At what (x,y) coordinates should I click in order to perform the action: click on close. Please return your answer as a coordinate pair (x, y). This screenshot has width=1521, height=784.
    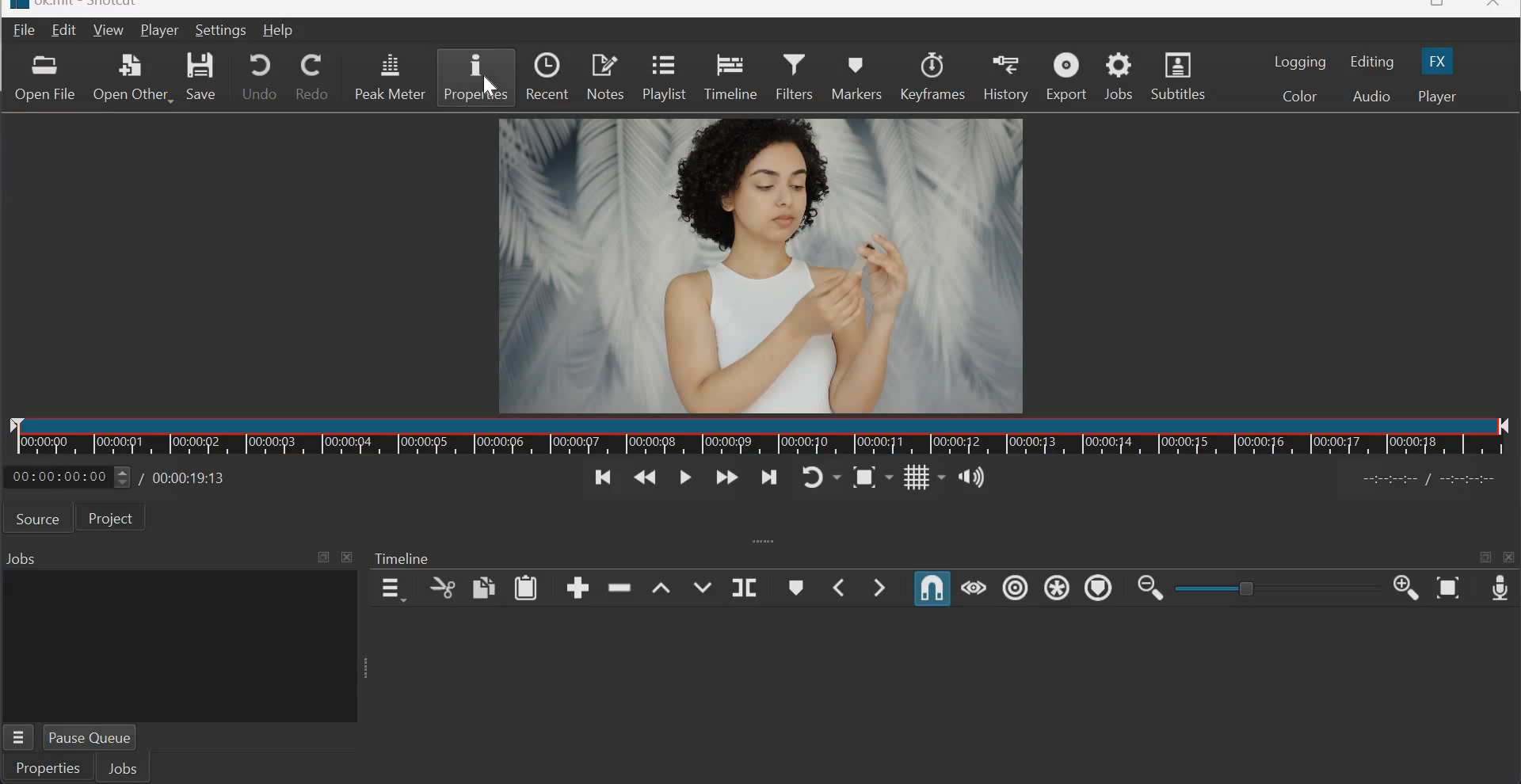
    Looking at the image, I should click on (1510, 558).